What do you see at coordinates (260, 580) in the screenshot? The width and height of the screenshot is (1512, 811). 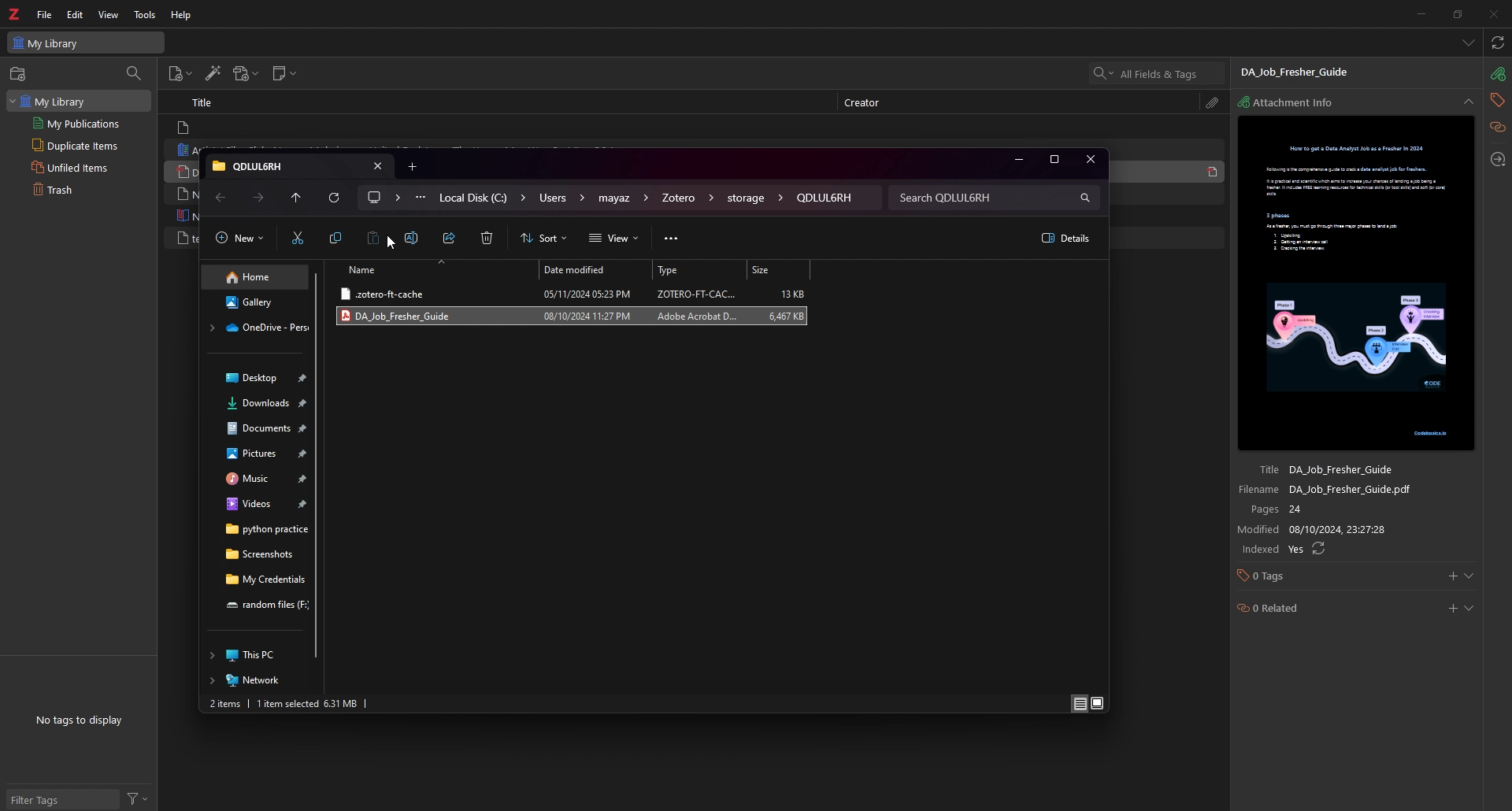 I see `folder` at bounding box center [260, 580].